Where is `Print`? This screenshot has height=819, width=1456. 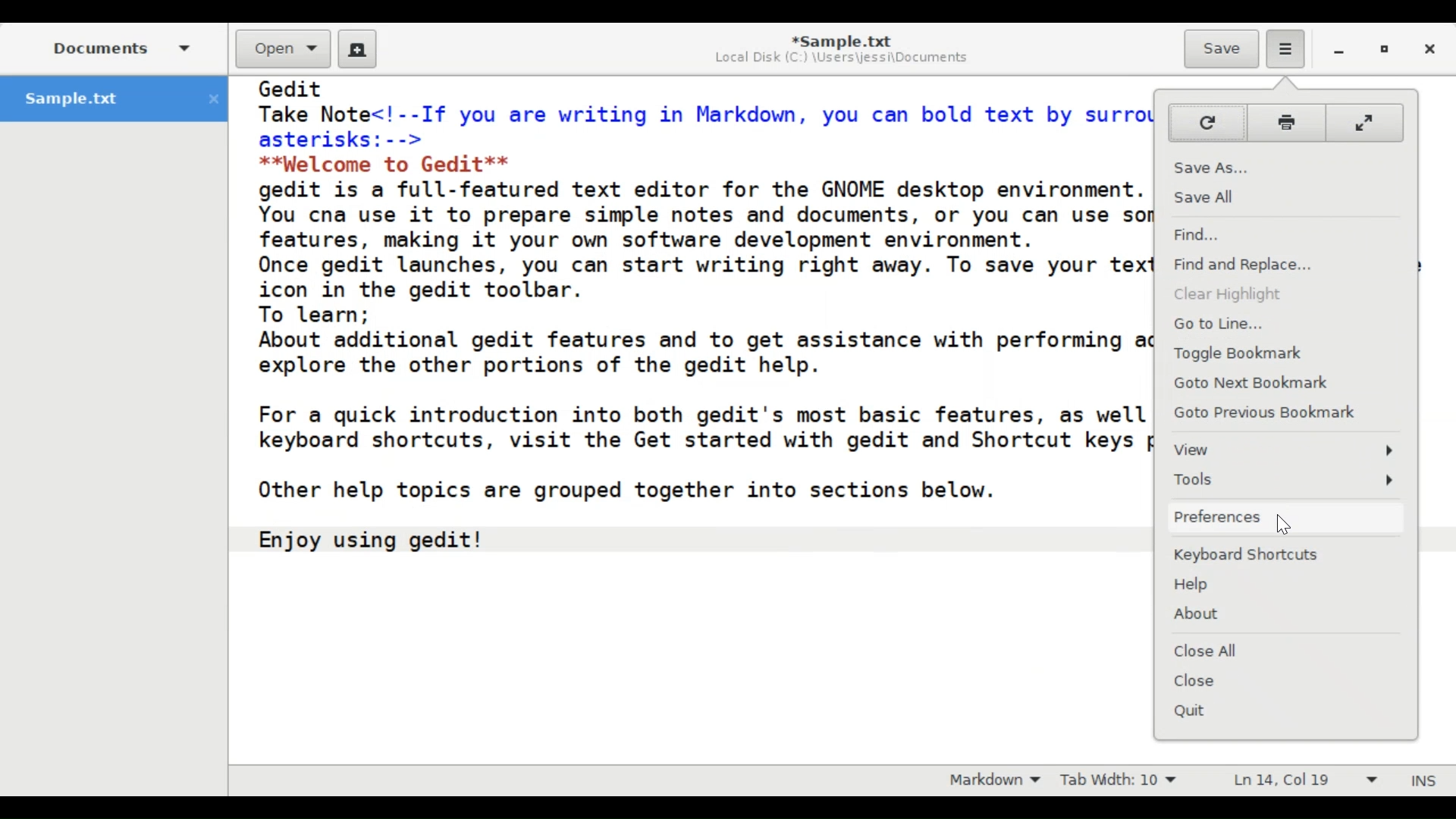
Print is located at coordinates (1286, 121).